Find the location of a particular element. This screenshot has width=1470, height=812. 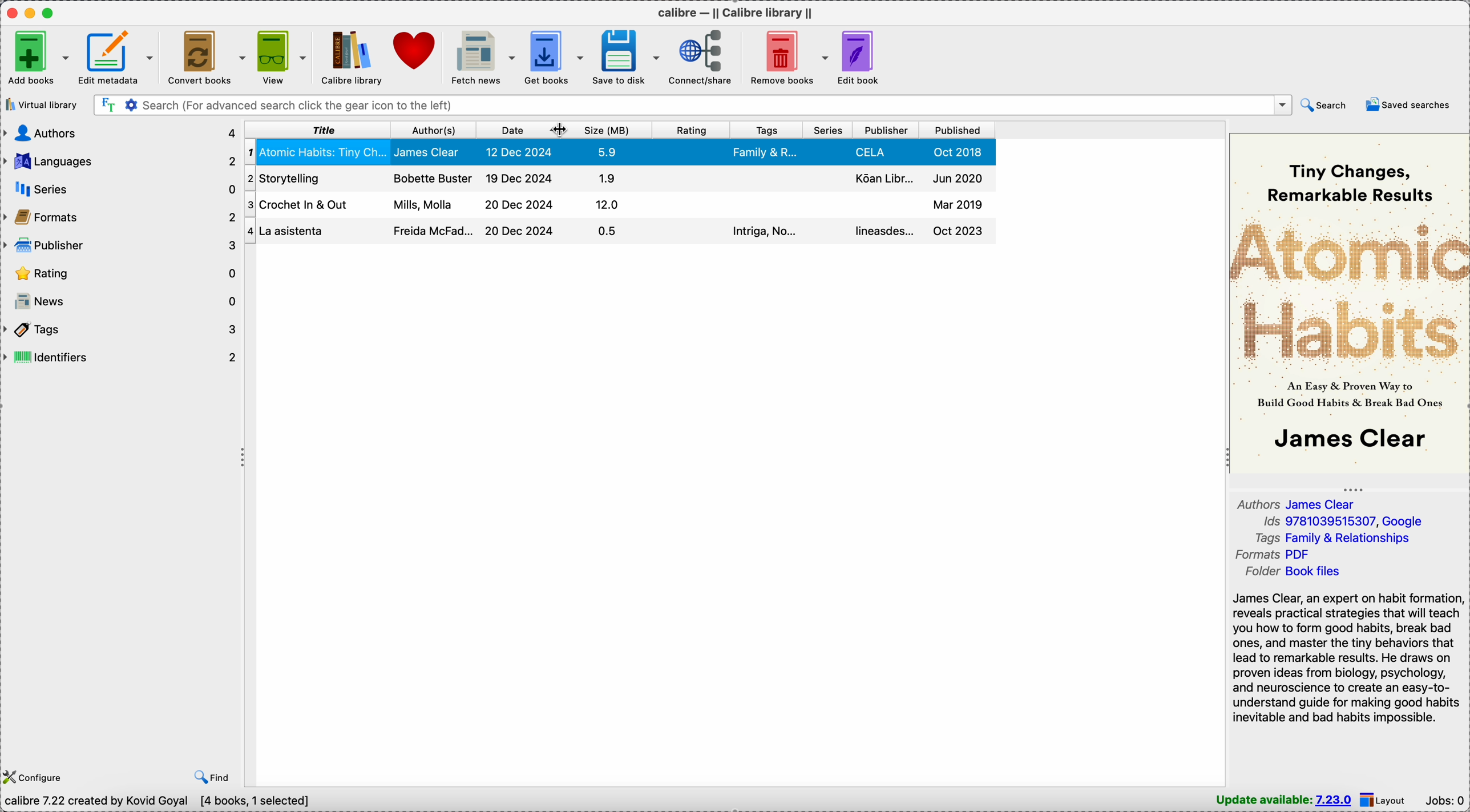

news is located at coordinates (122, 303).